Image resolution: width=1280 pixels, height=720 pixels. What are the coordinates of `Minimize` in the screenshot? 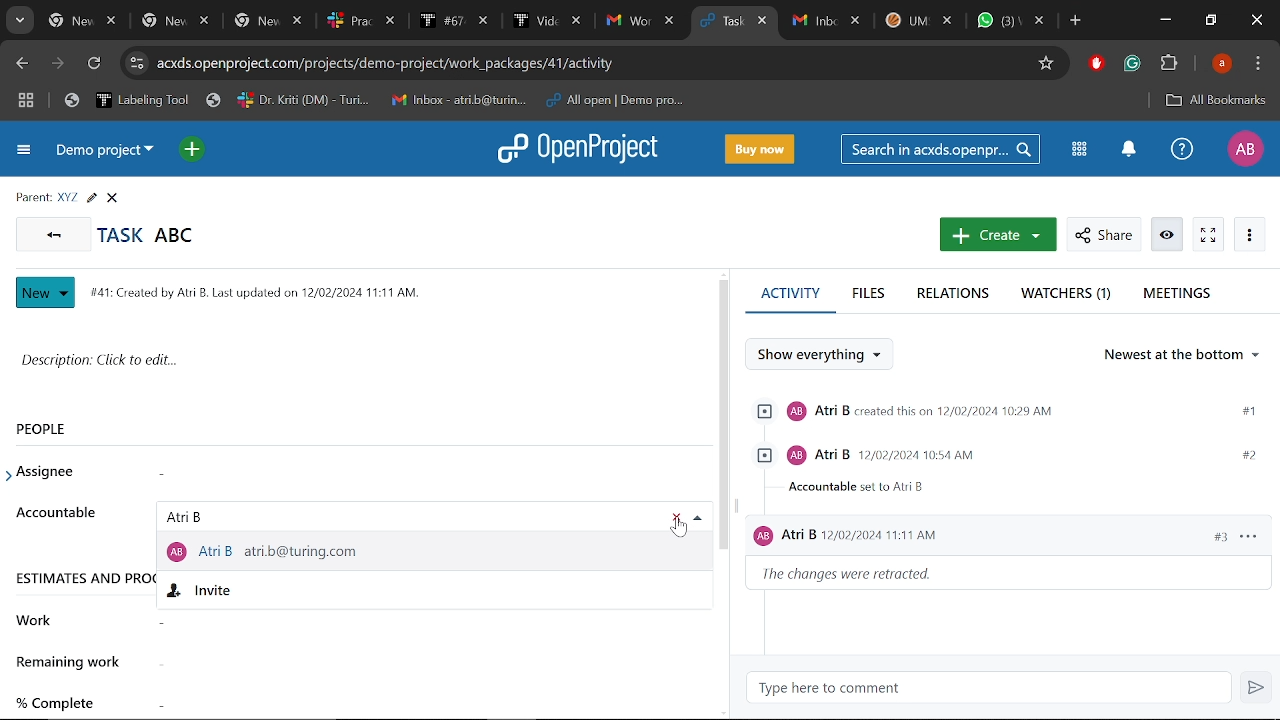 It's located at (1164, 22).